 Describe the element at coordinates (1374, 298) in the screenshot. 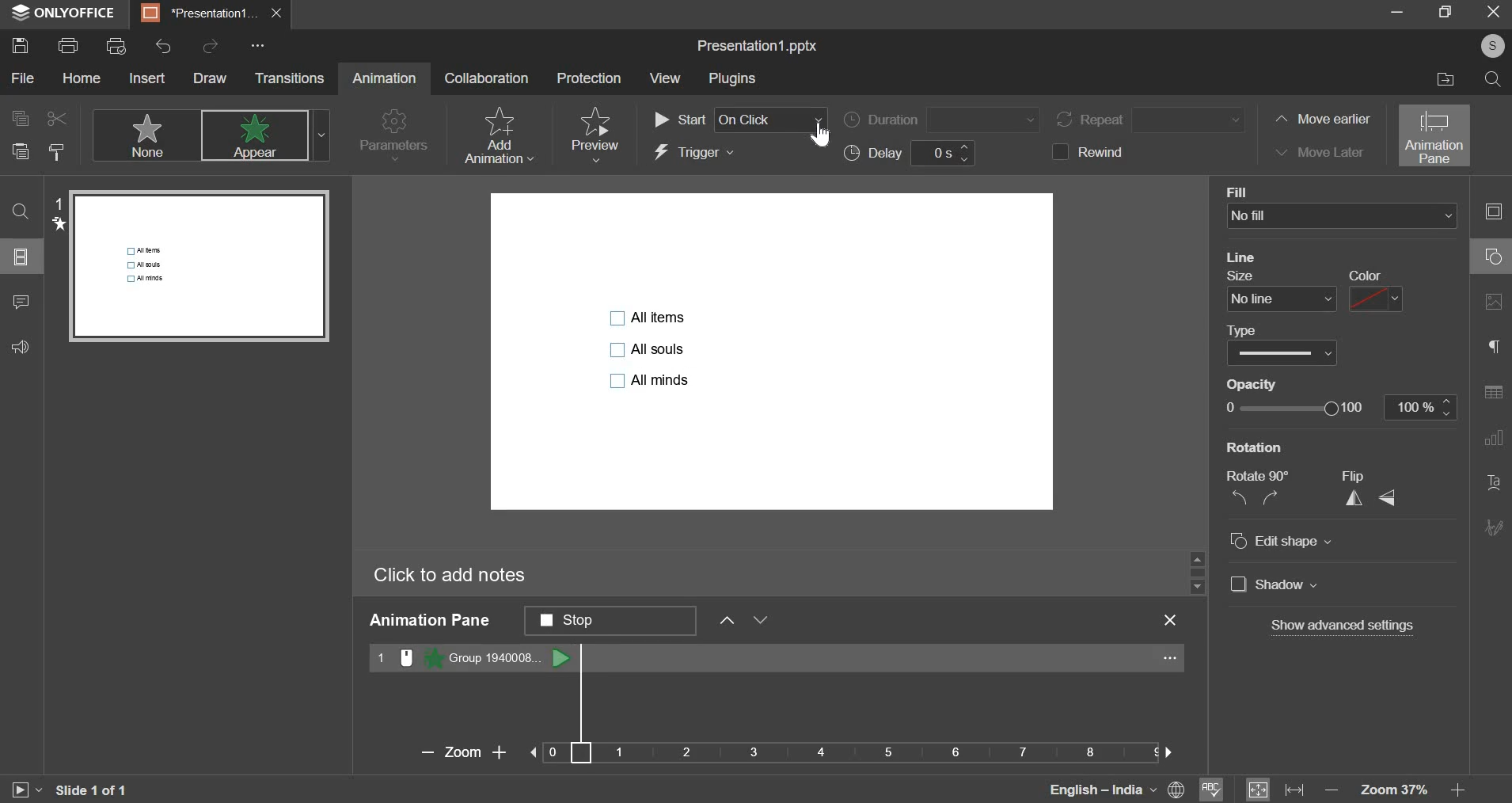

I see `color` at that location.